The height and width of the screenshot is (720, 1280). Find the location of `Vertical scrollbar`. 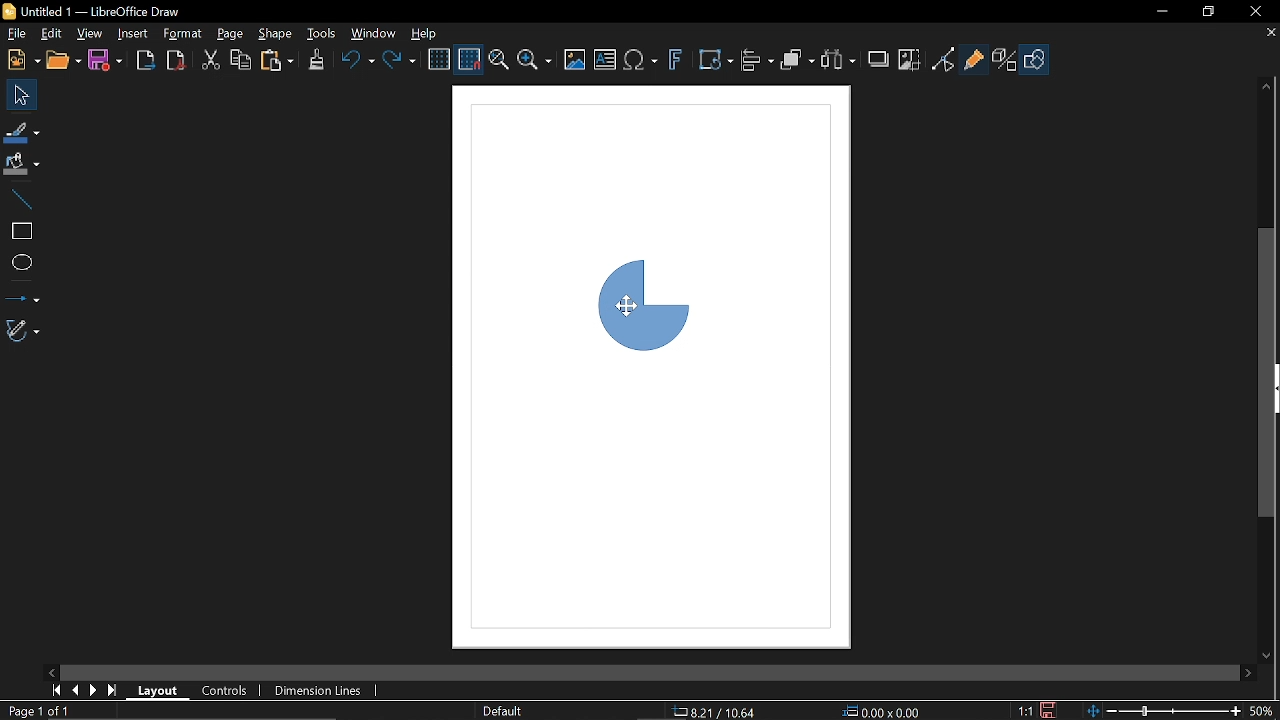

Vertical scrollbar is located at coordinates (1269, 372).